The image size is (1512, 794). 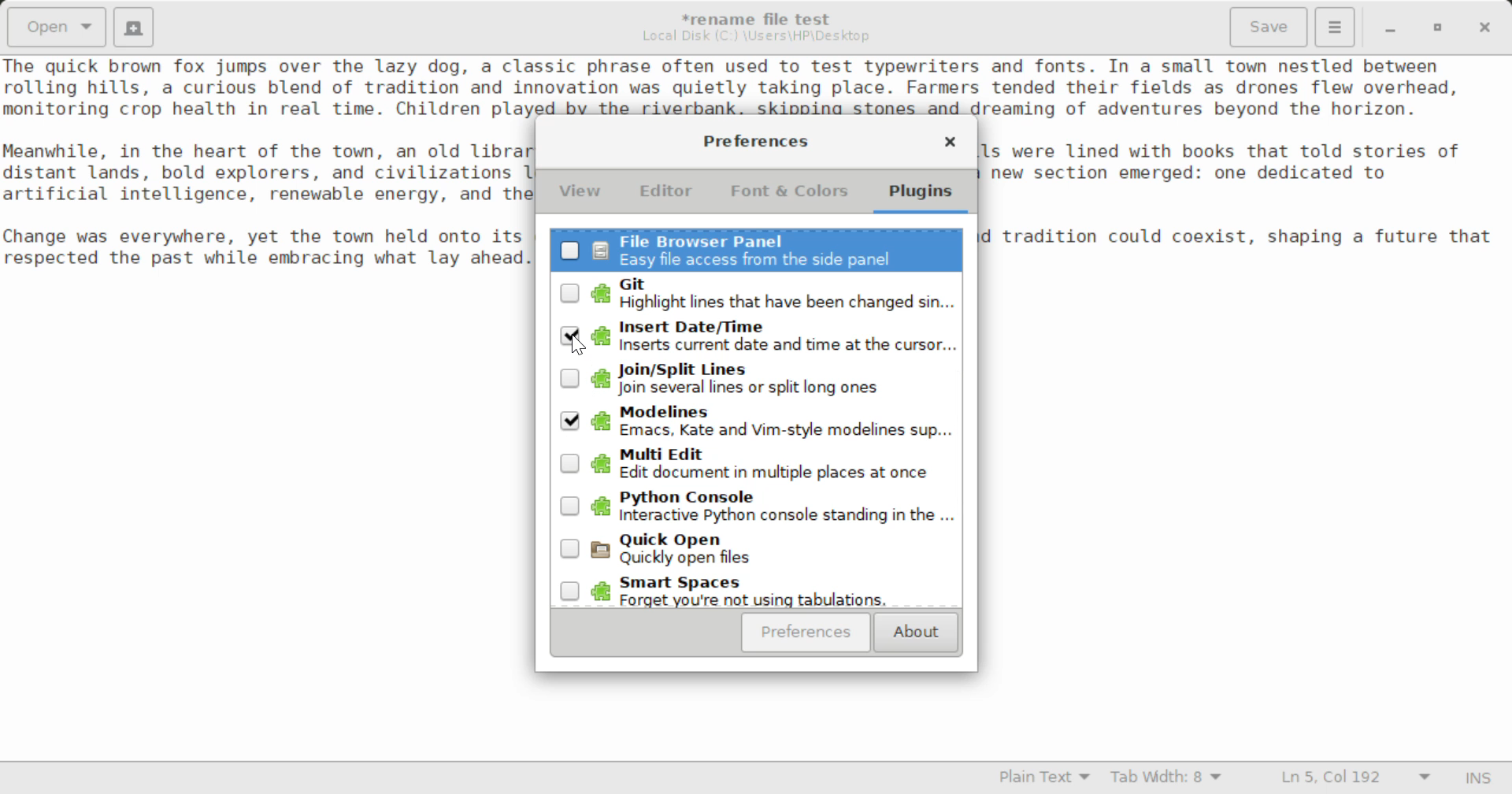 I want to click on Plugins Tab Selected, so click(x=925, y=197).